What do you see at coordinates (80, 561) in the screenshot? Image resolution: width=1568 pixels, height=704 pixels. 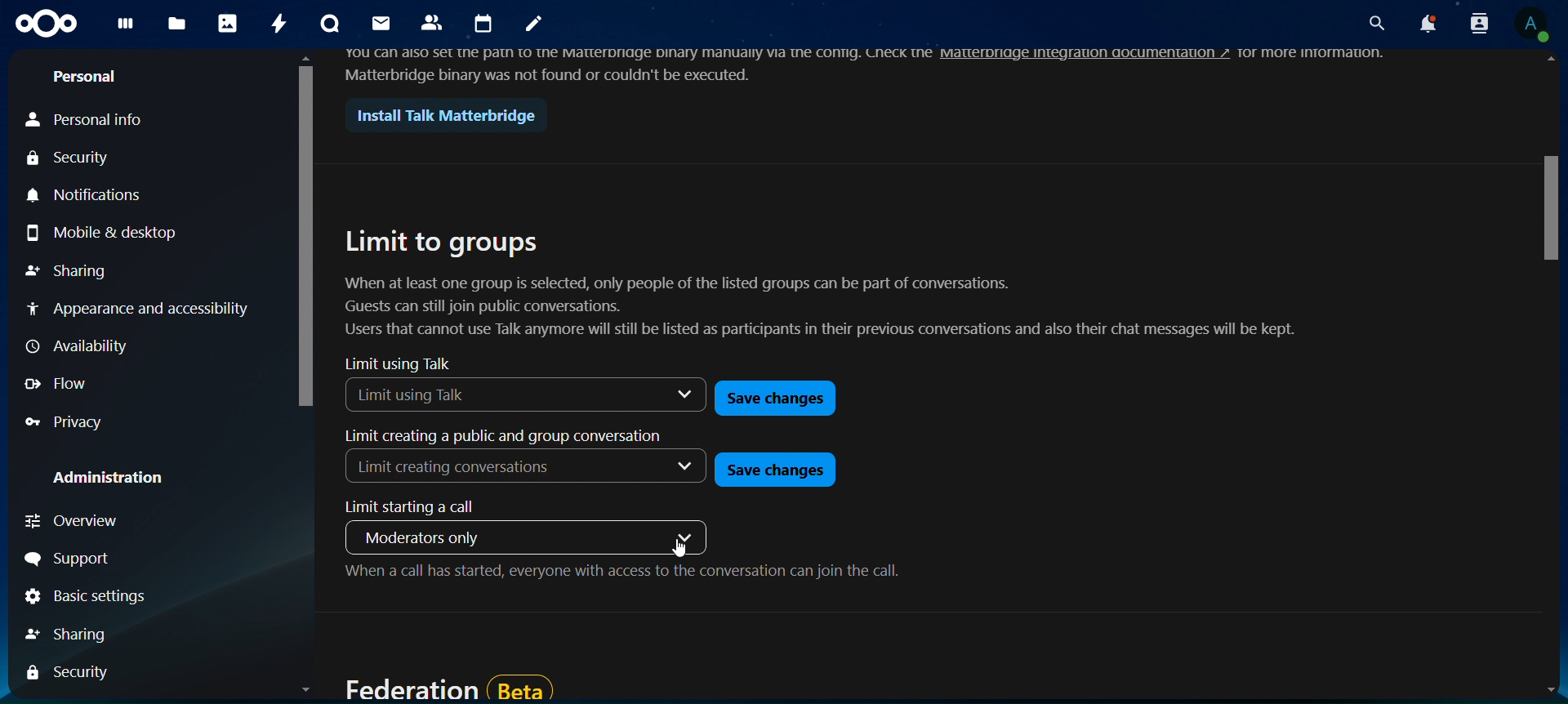 I see `support` at bounding box center [80, 561].